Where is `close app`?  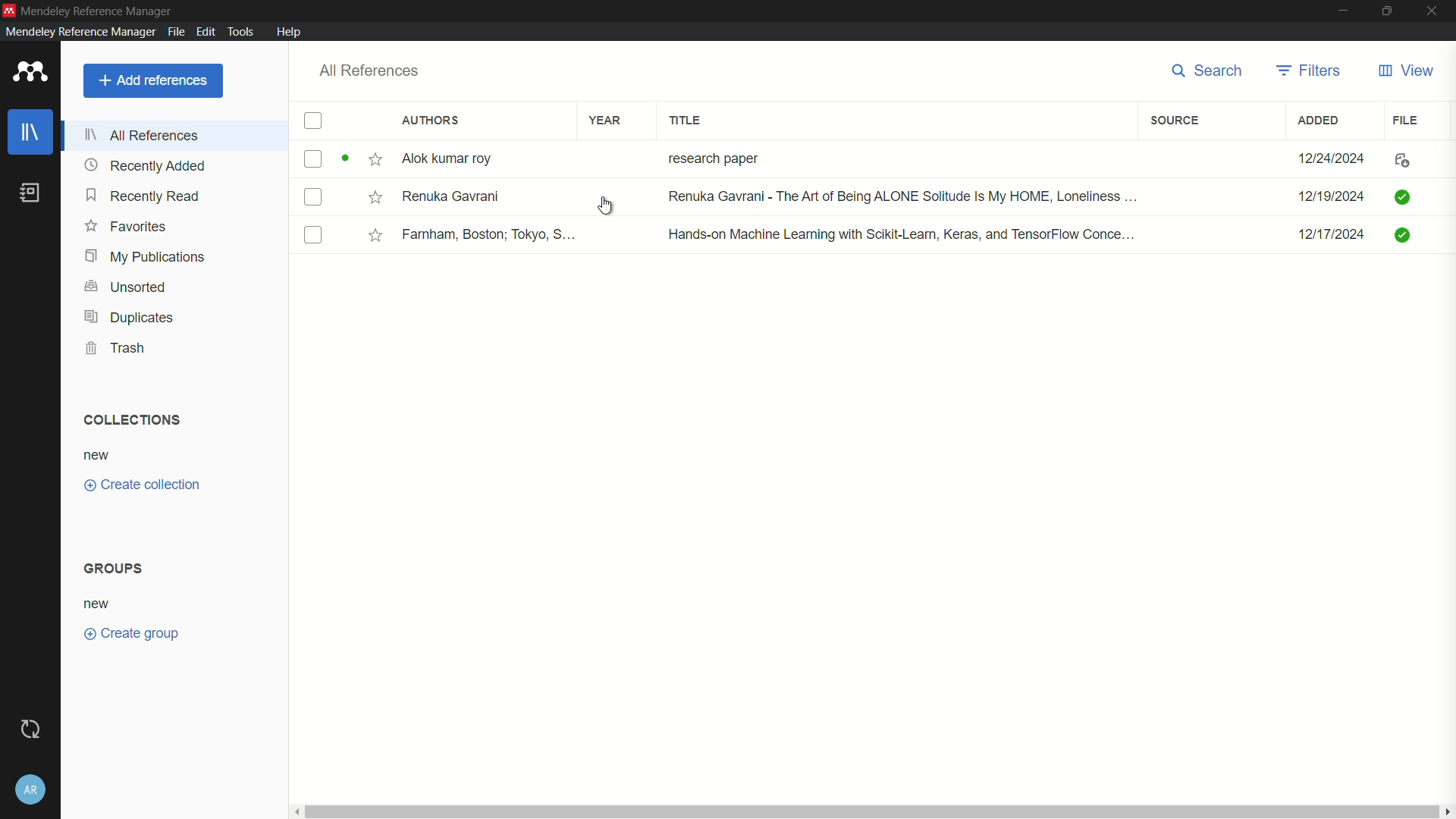
close app is located at coordinates (1434, 11).